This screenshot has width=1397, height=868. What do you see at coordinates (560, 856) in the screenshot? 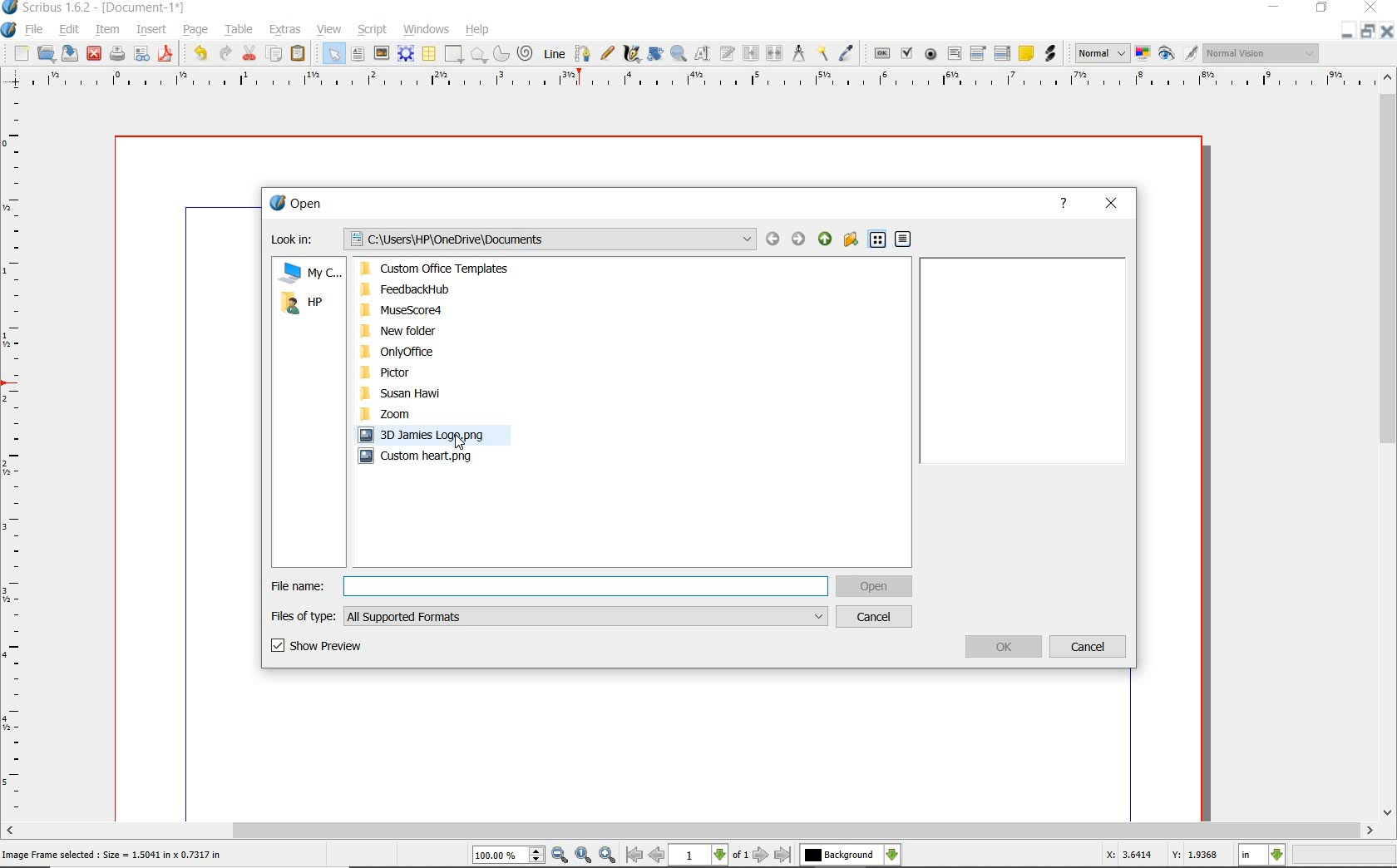
I see `zoom out` at bounding box center [560, 856].